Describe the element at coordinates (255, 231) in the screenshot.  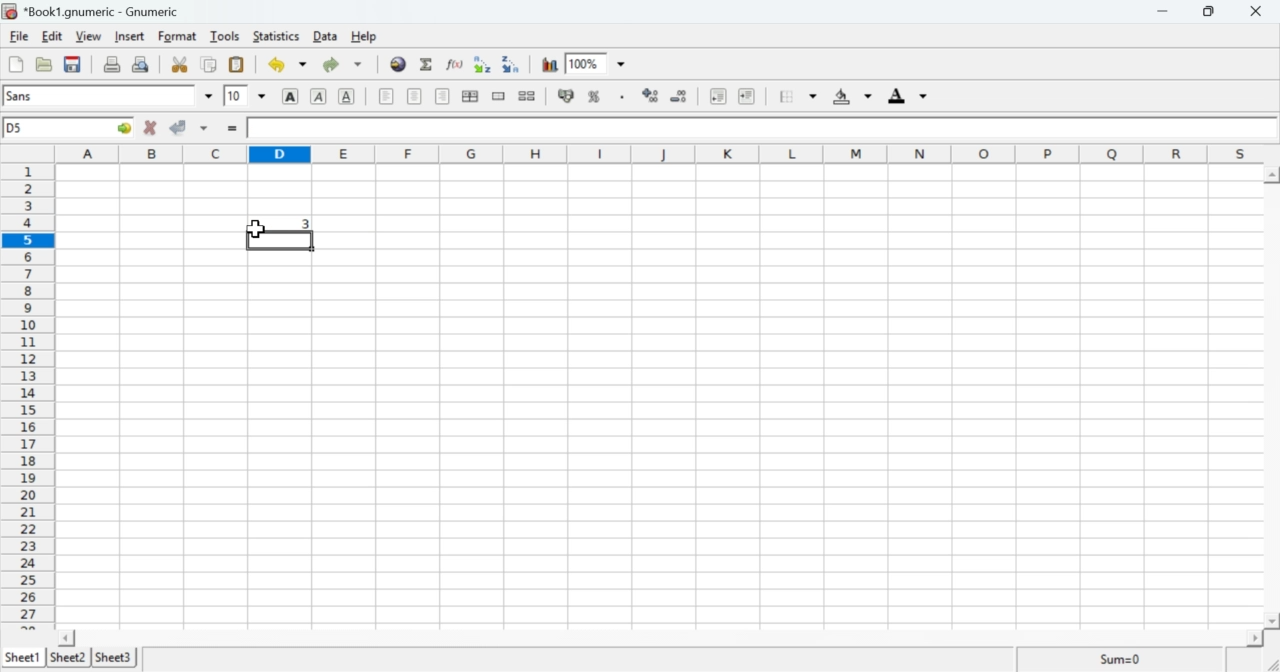
I see `cursor` at that location.